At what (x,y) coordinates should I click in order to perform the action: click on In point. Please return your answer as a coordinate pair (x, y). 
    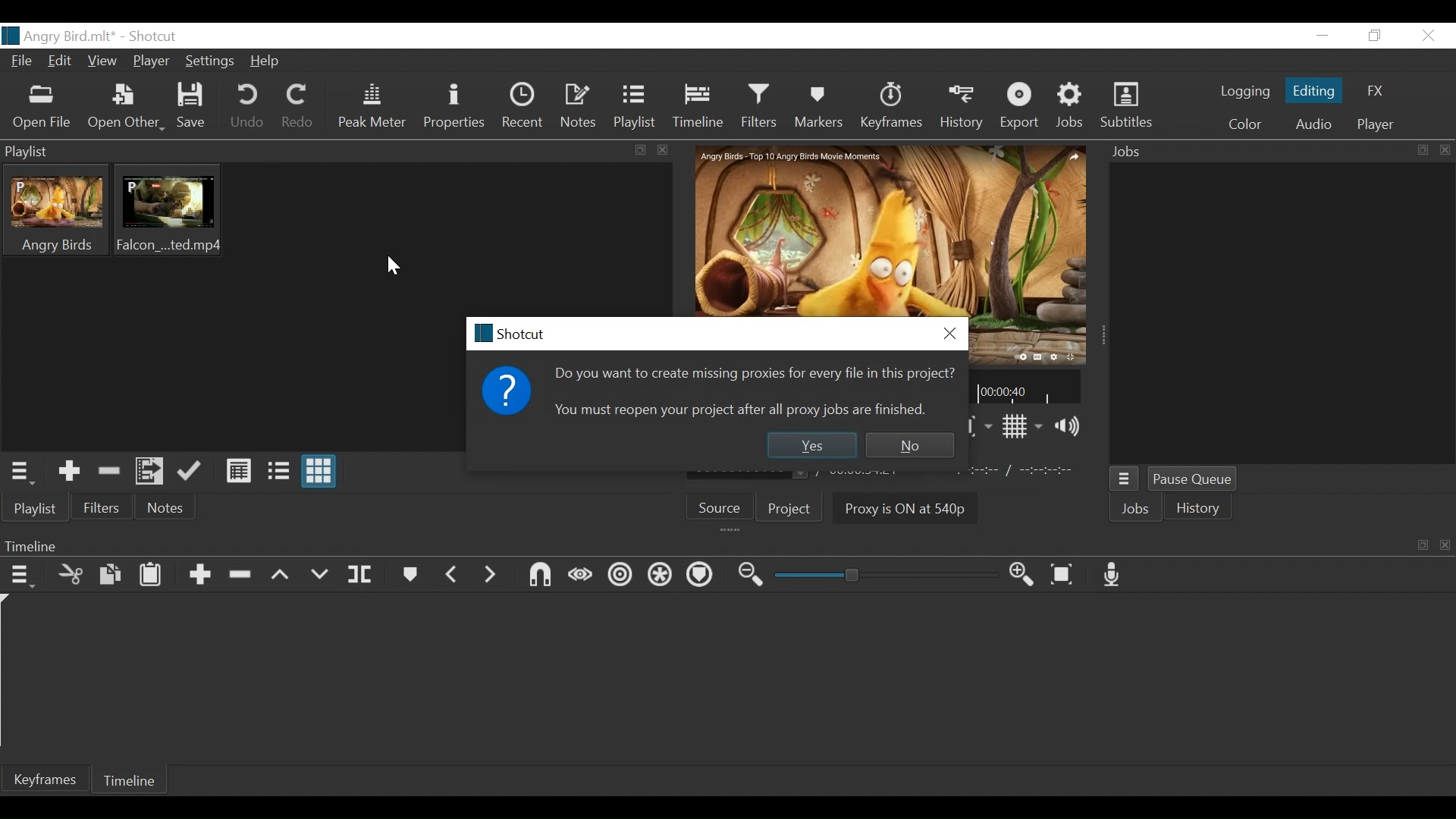
    Looking at the image, I should click on (1025, 471).